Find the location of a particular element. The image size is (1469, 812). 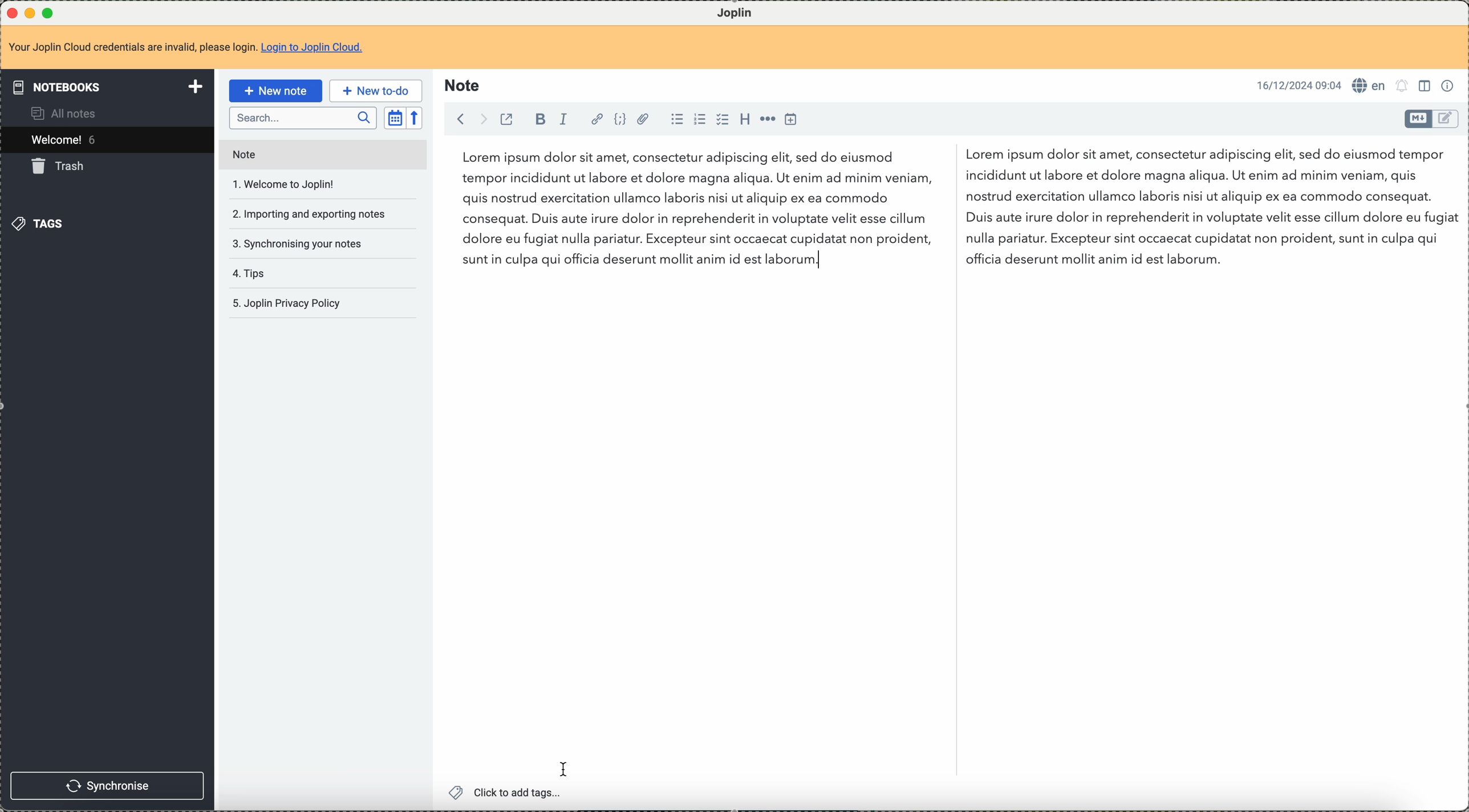

checkbox is located at coordinates (721, 119).